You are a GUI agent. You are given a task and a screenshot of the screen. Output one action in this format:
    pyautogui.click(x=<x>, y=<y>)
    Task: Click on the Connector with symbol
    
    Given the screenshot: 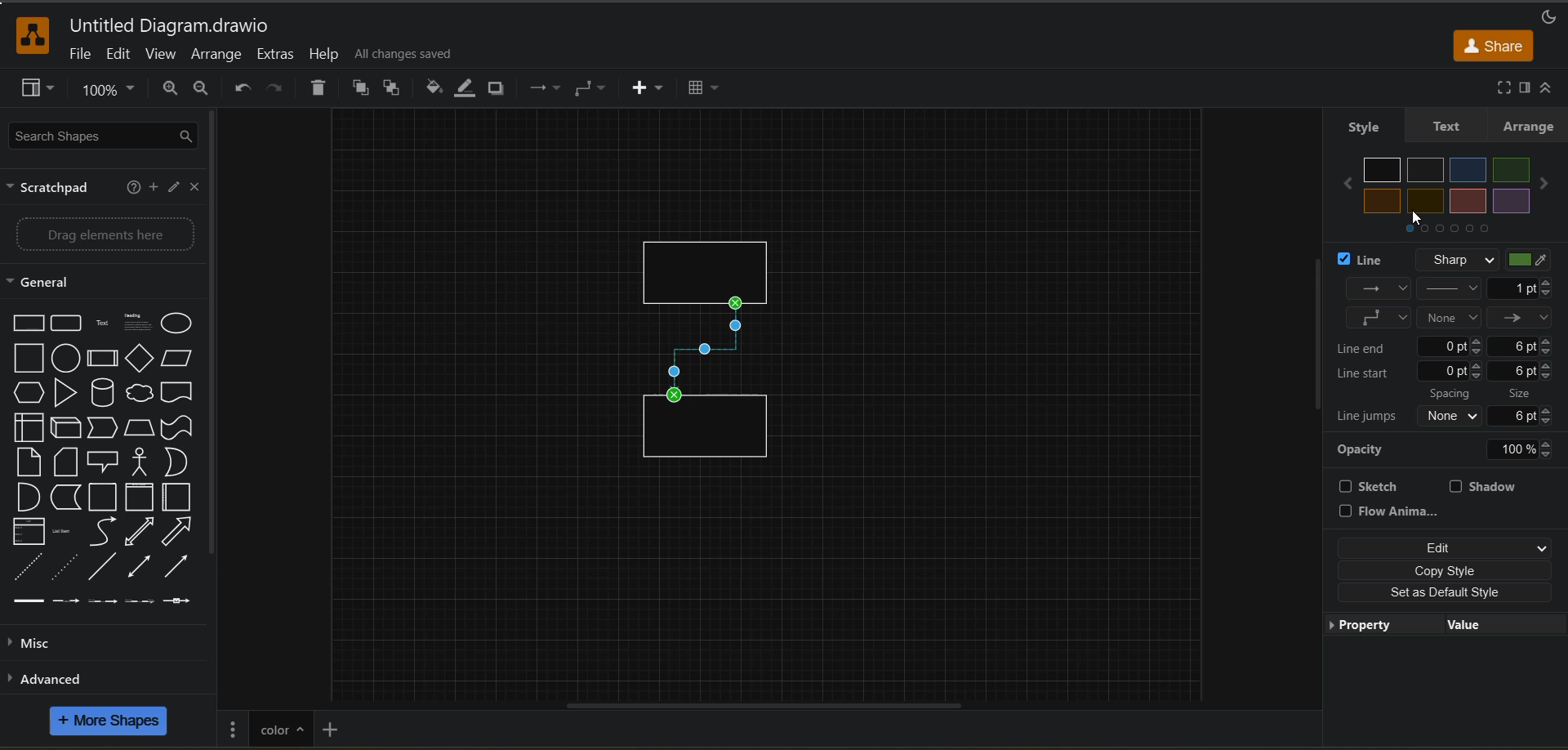 What is the action you would take?
    pyautogui.click(x=186, y=601)
    